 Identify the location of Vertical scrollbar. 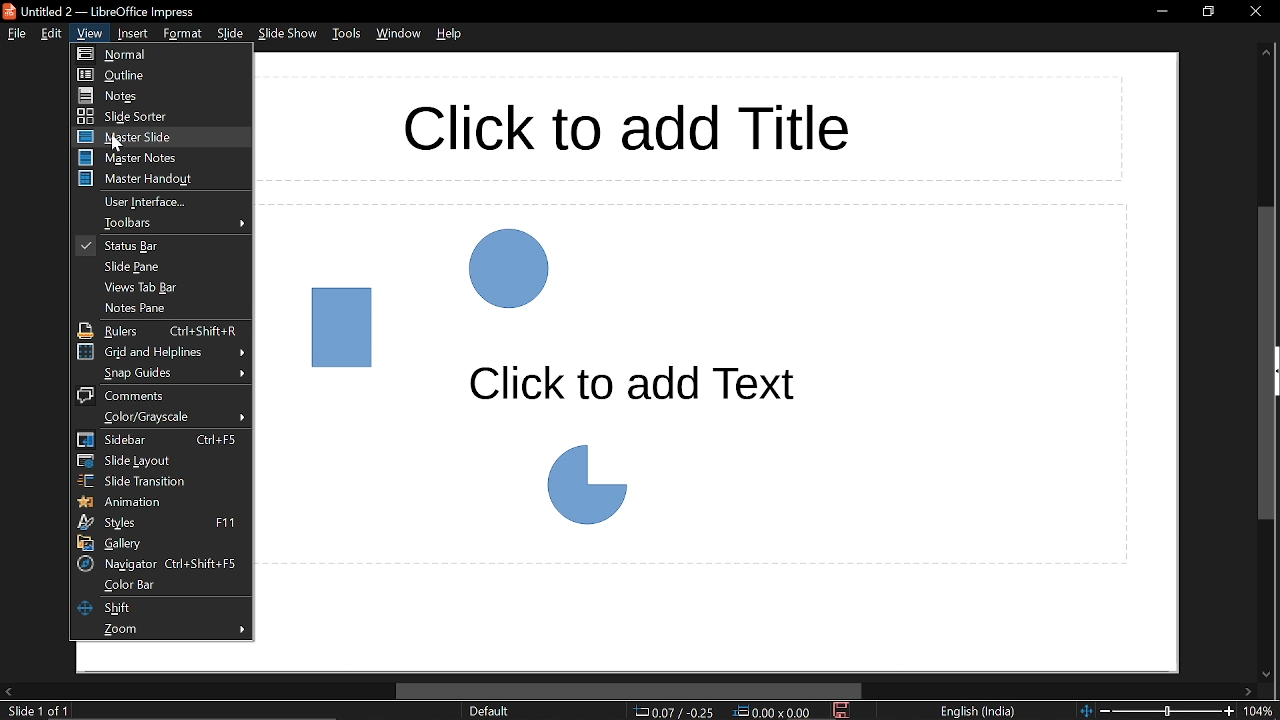
(1266, 365).